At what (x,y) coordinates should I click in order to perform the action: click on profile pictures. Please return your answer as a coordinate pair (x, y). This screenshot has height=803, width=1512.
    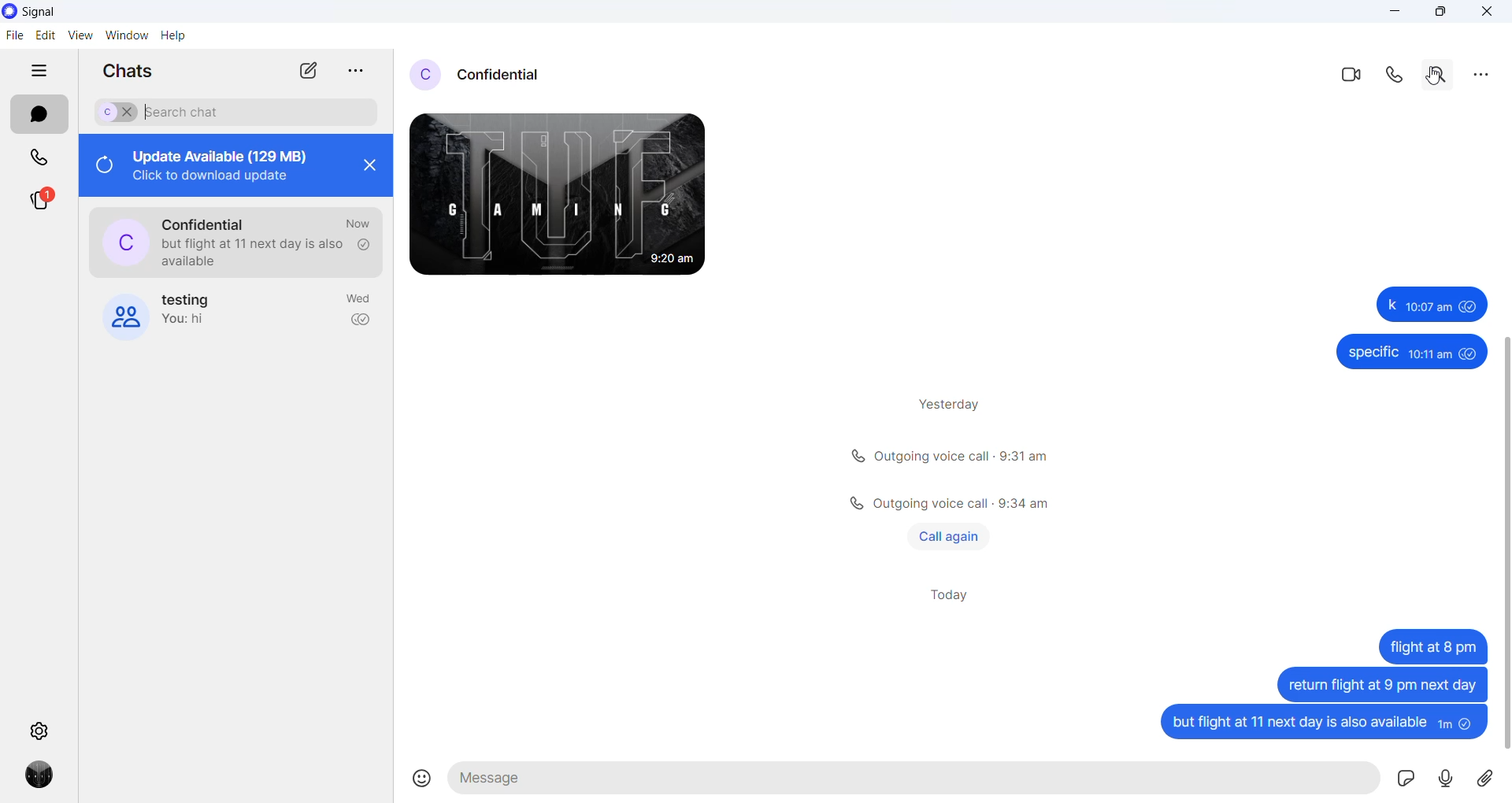
    Looking at the image, I should click on (126, 241).